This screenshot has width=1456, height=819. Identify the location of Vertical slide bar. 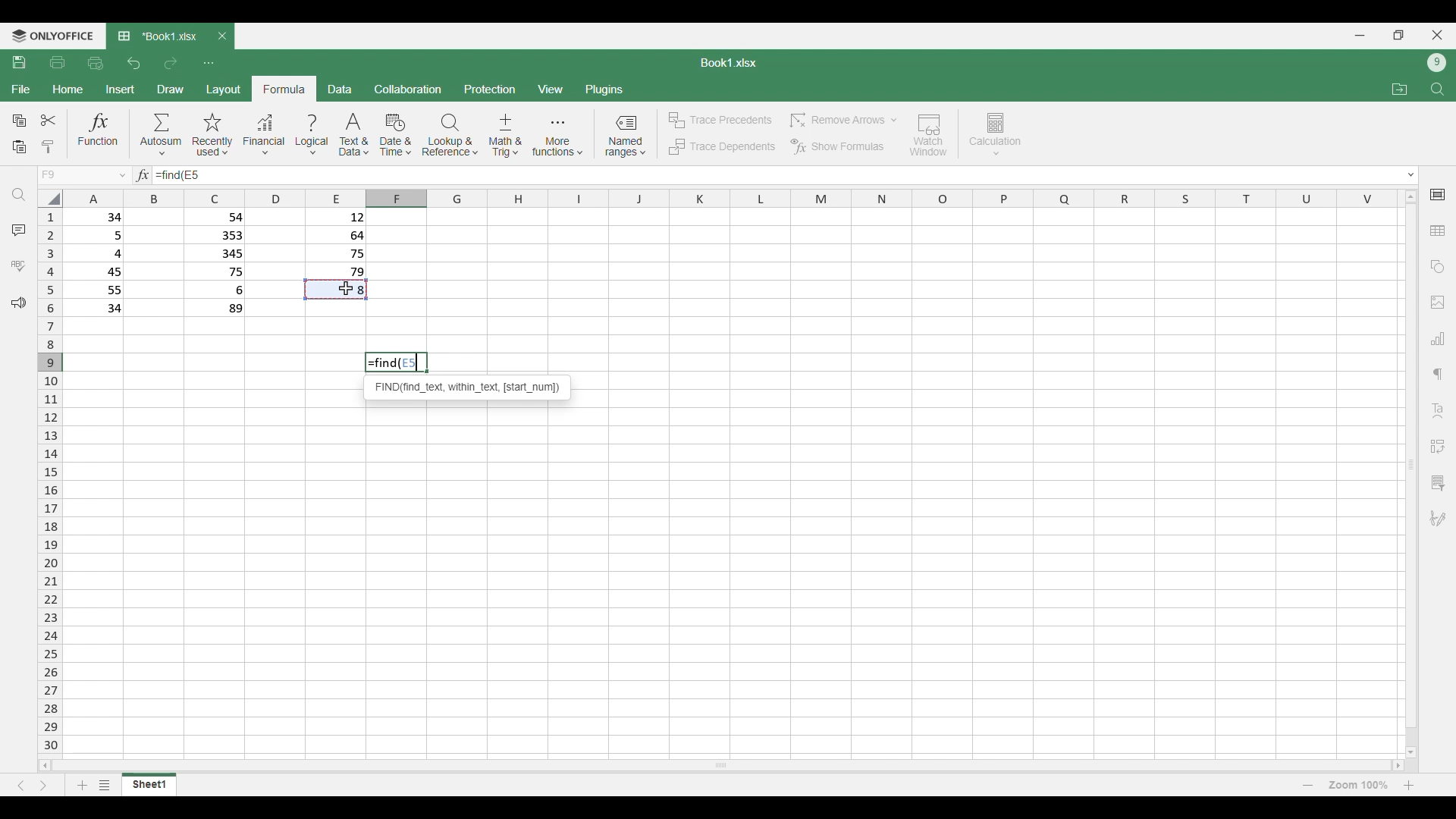
(1412, 474).